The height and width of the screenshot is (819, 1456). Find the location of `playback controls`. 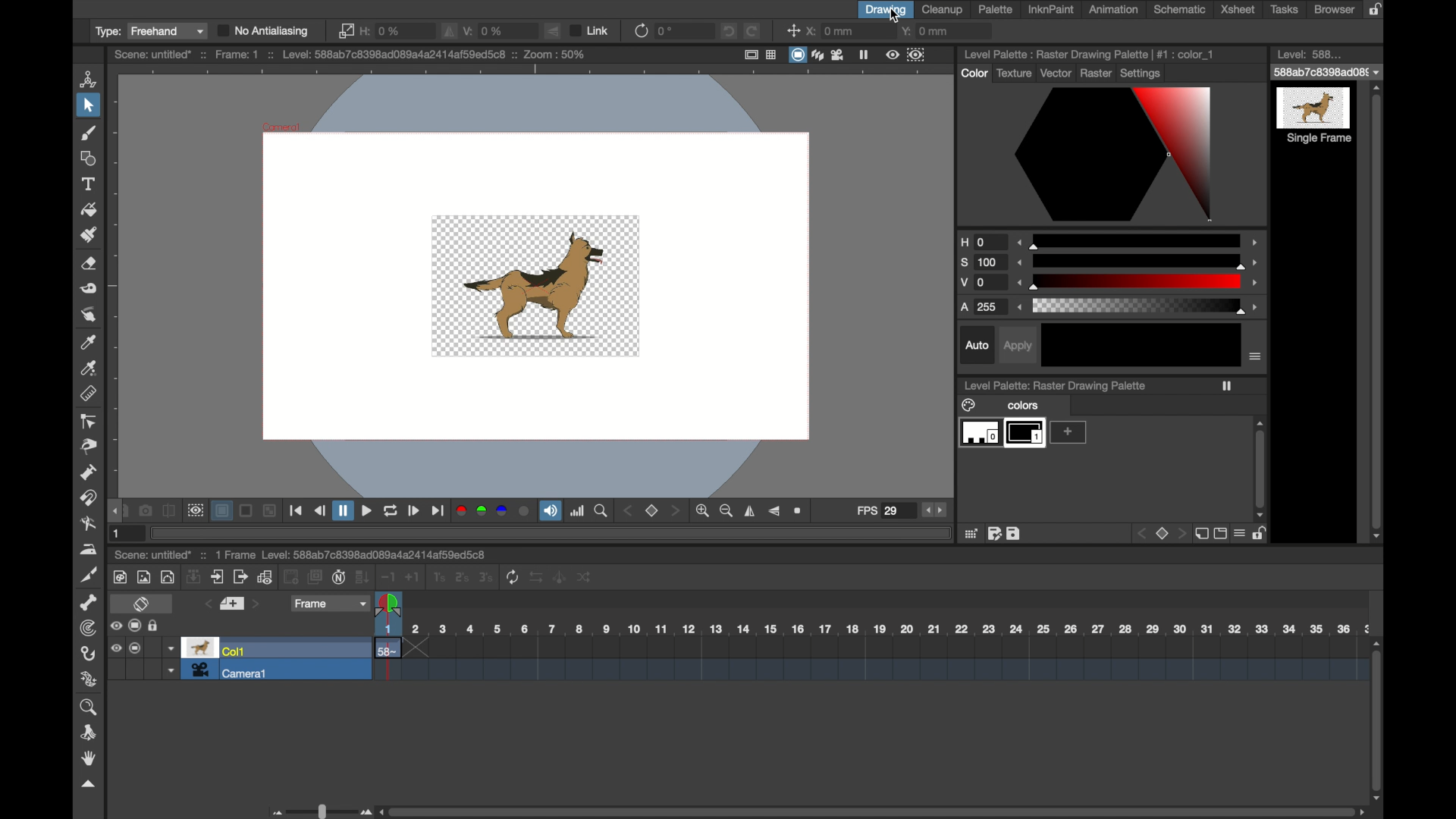

playback controls is located at coordinates (368, 513).